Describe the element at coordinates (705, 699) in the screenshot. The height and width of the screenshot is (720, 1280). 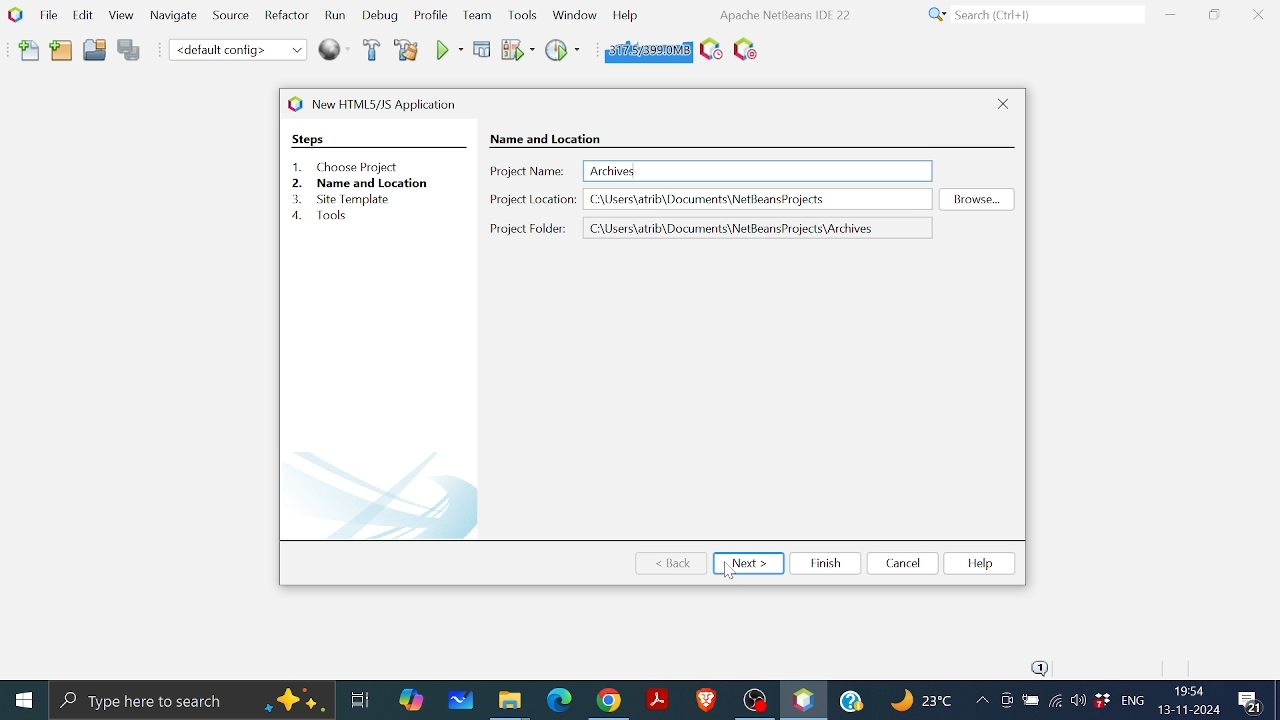
I see `Brave Browser` at that location.